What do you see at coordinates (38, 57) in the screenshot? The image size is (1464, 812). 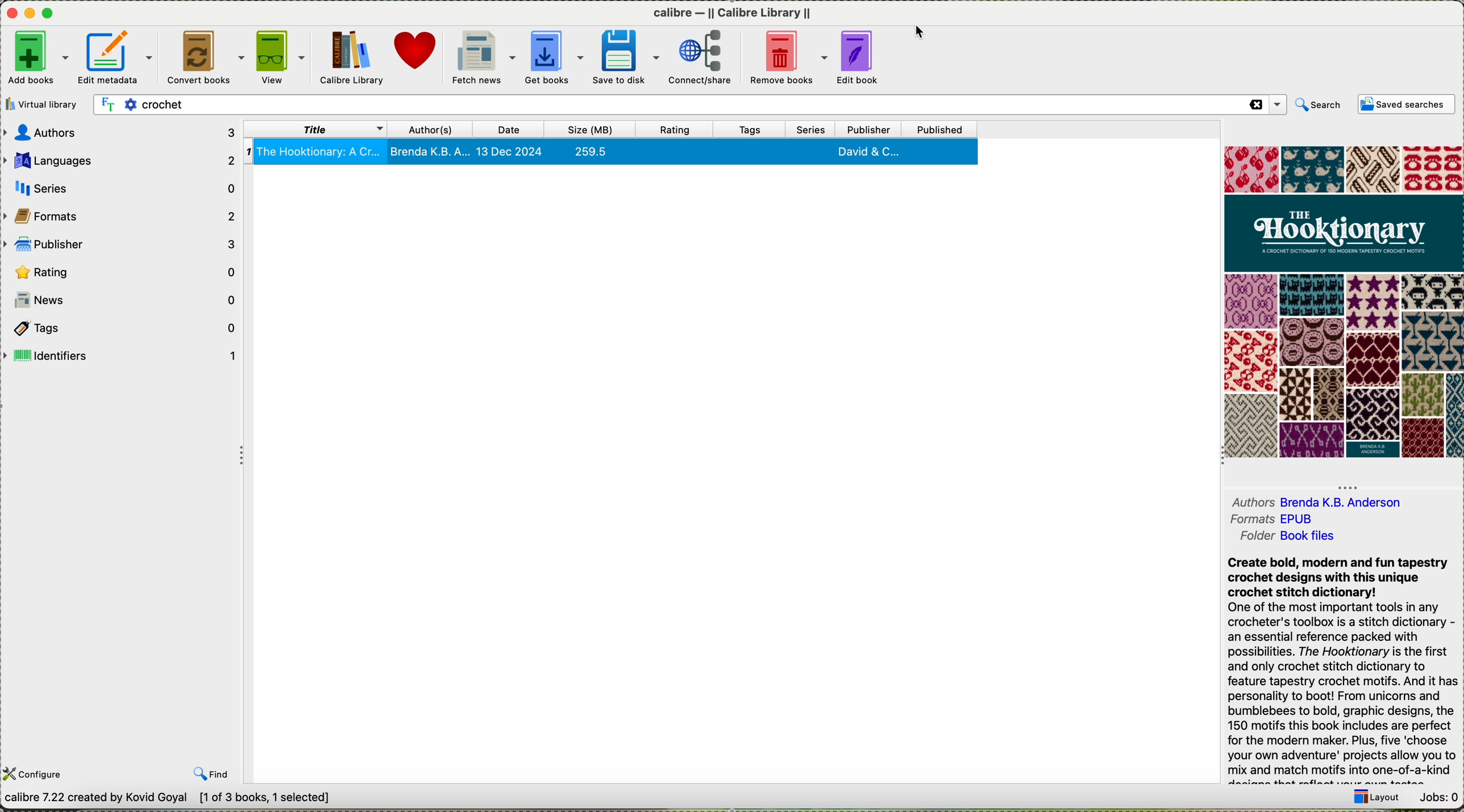 I see `add books` at bounding box center [38, 57].